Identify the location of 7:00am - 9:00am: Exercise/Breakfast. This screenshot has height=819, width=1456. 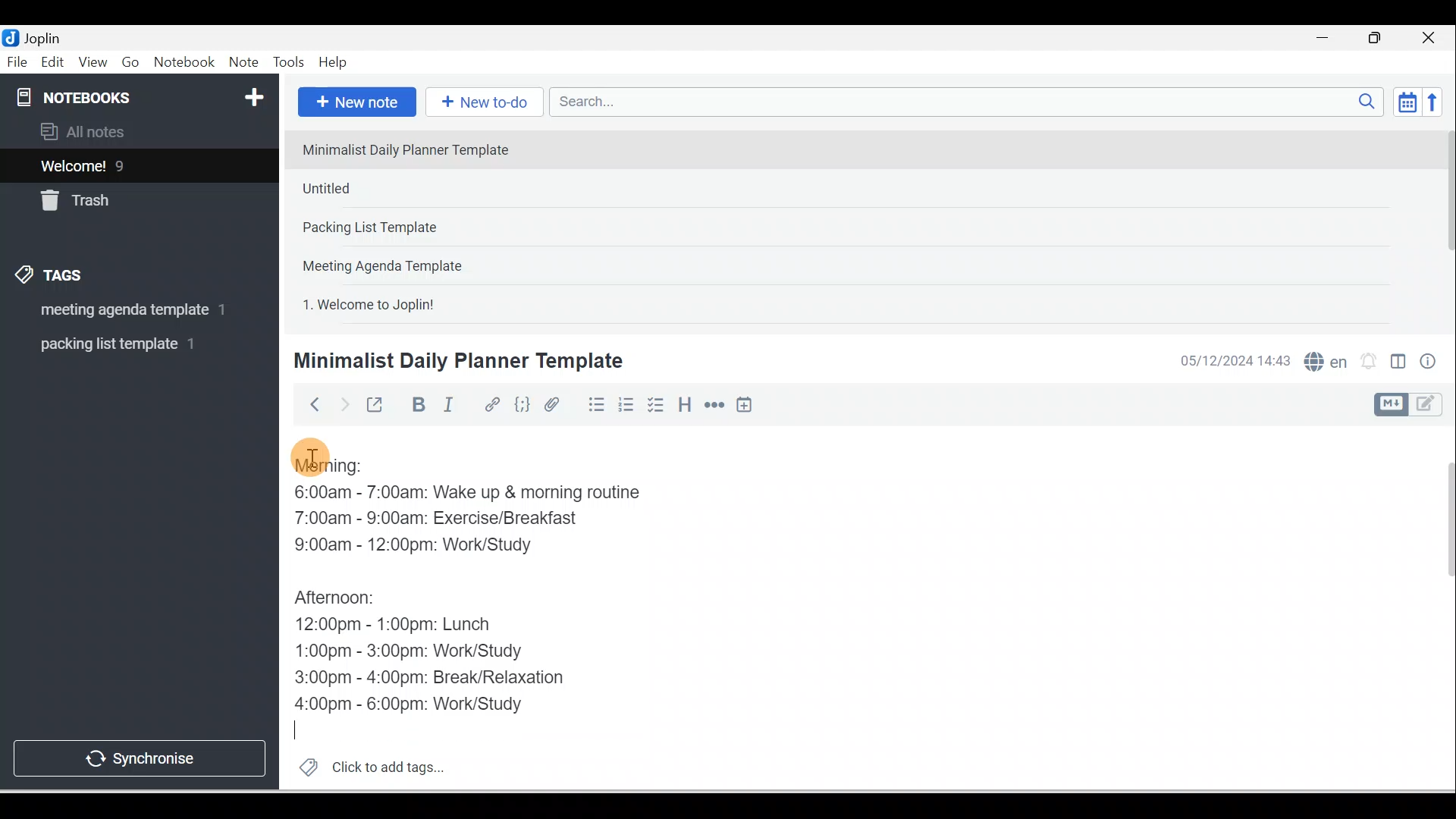
(453, 519).